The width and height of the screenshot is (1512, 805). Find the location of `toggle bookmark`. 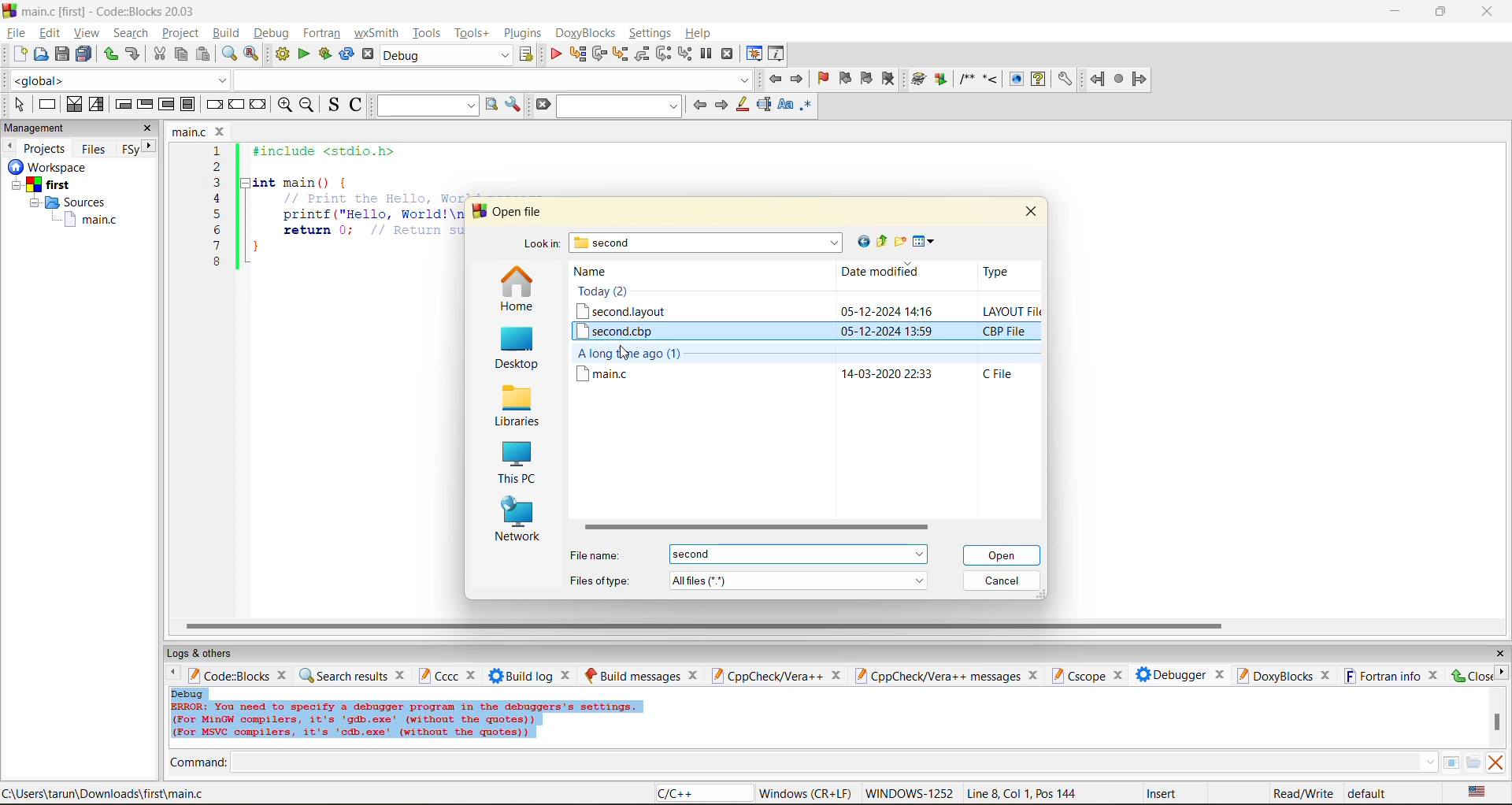

toggle bookmark is located at coordinates (825, 79).